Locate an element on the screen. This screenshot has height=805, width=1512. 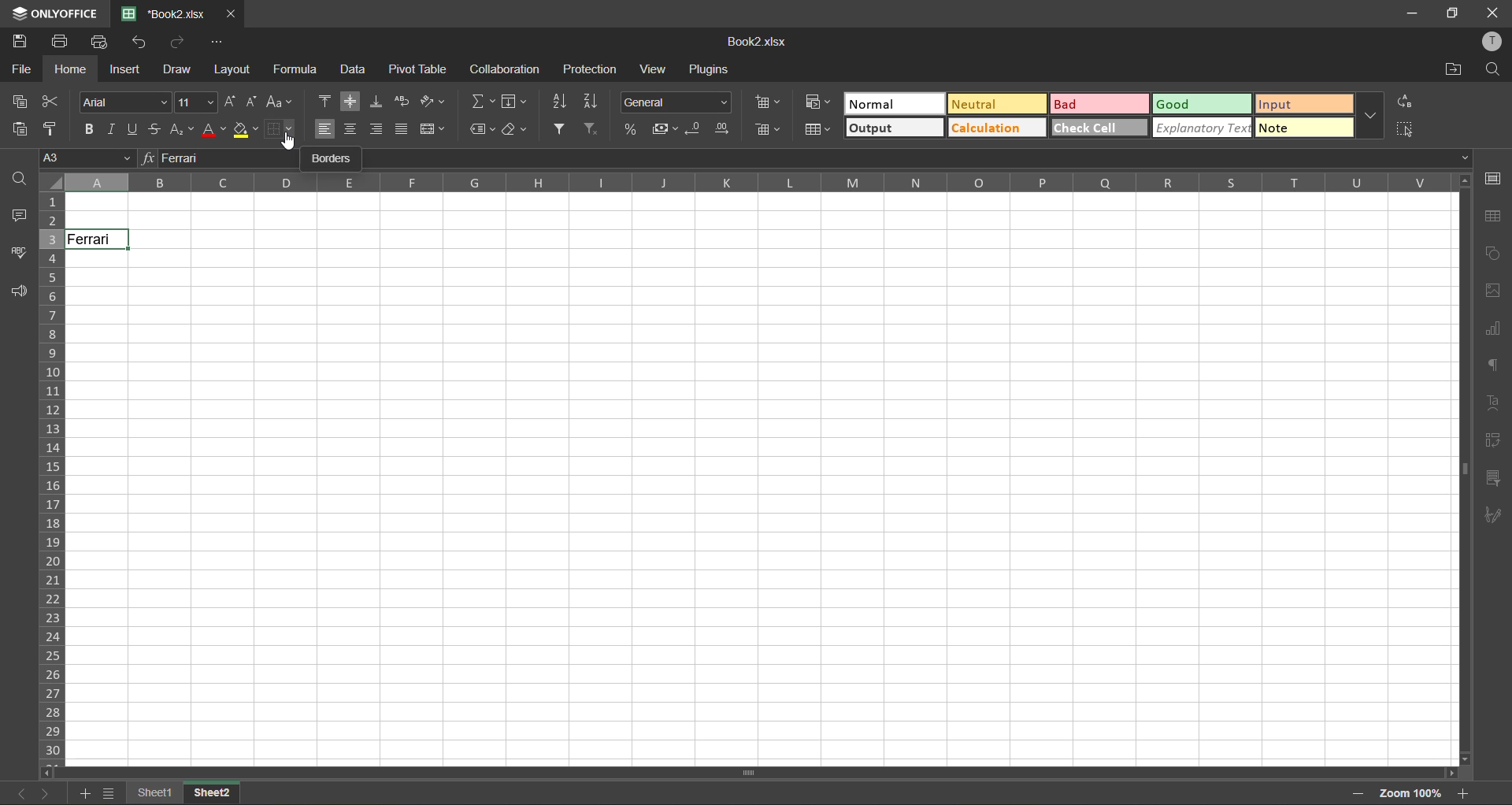
accounting is located at coordinates (663, 127).